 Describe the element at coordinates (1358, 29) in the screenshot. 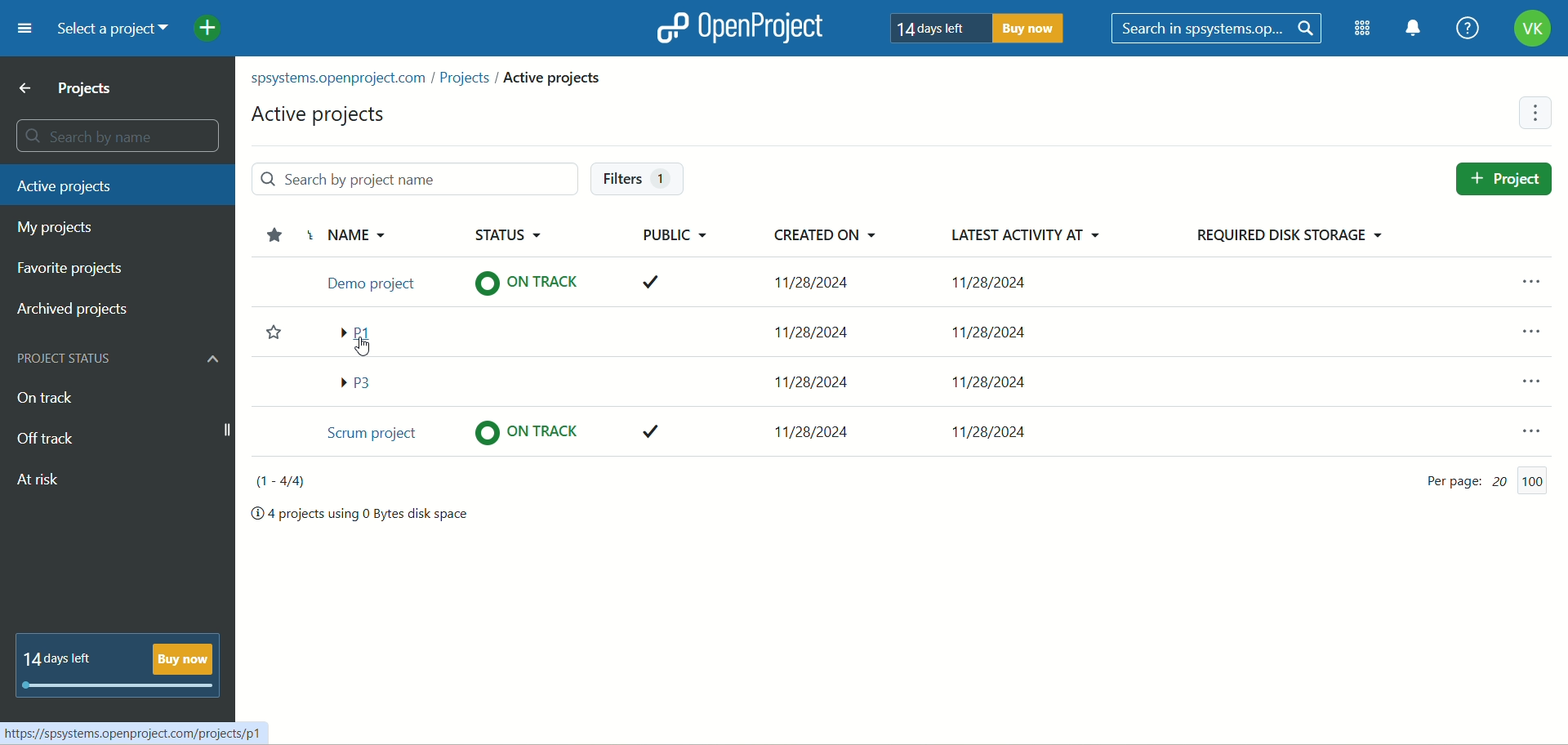

I see `modules` at that location.